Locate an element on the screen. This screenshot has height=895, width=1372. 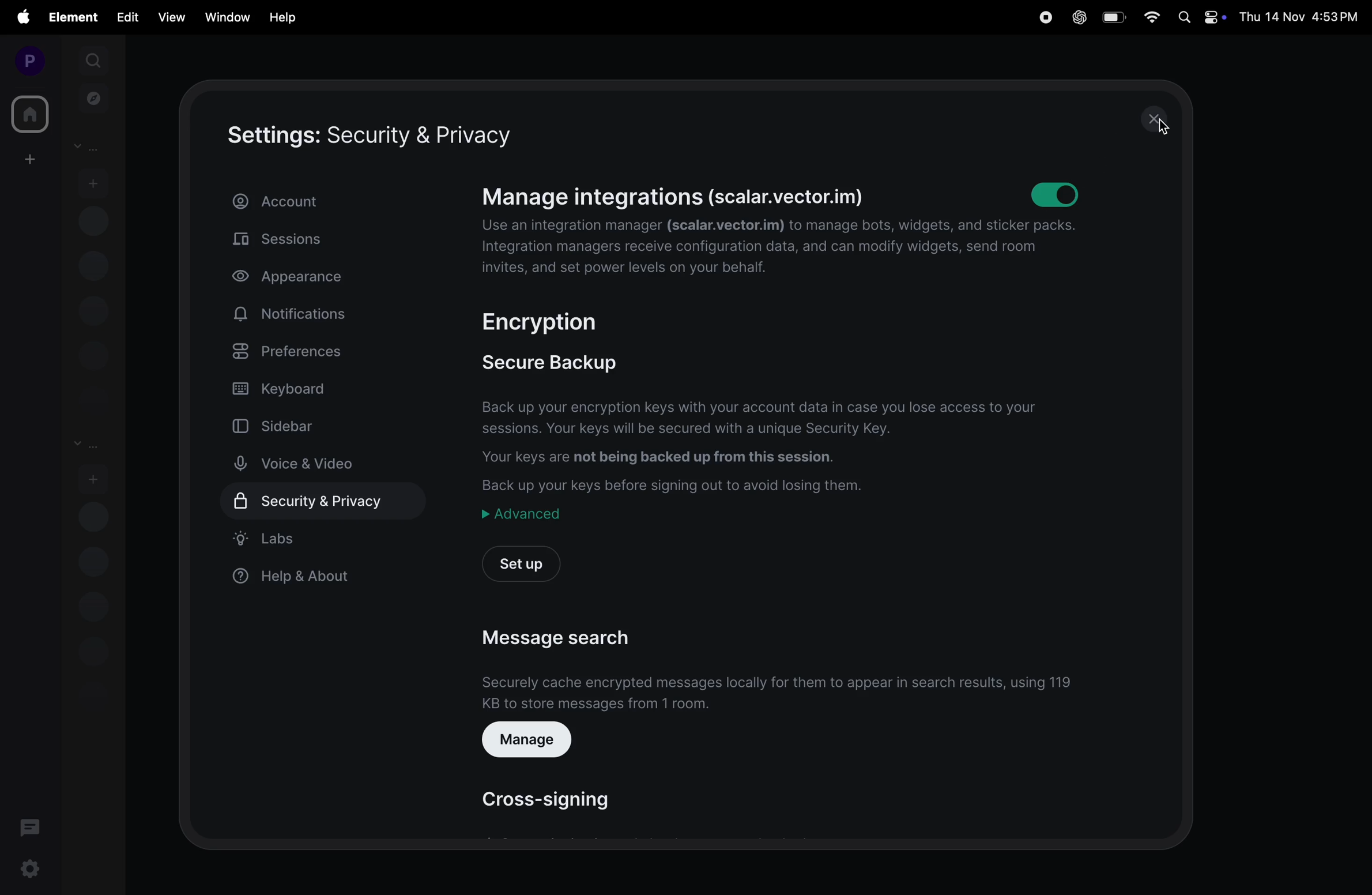
labs is located at coordinates (272, 539).